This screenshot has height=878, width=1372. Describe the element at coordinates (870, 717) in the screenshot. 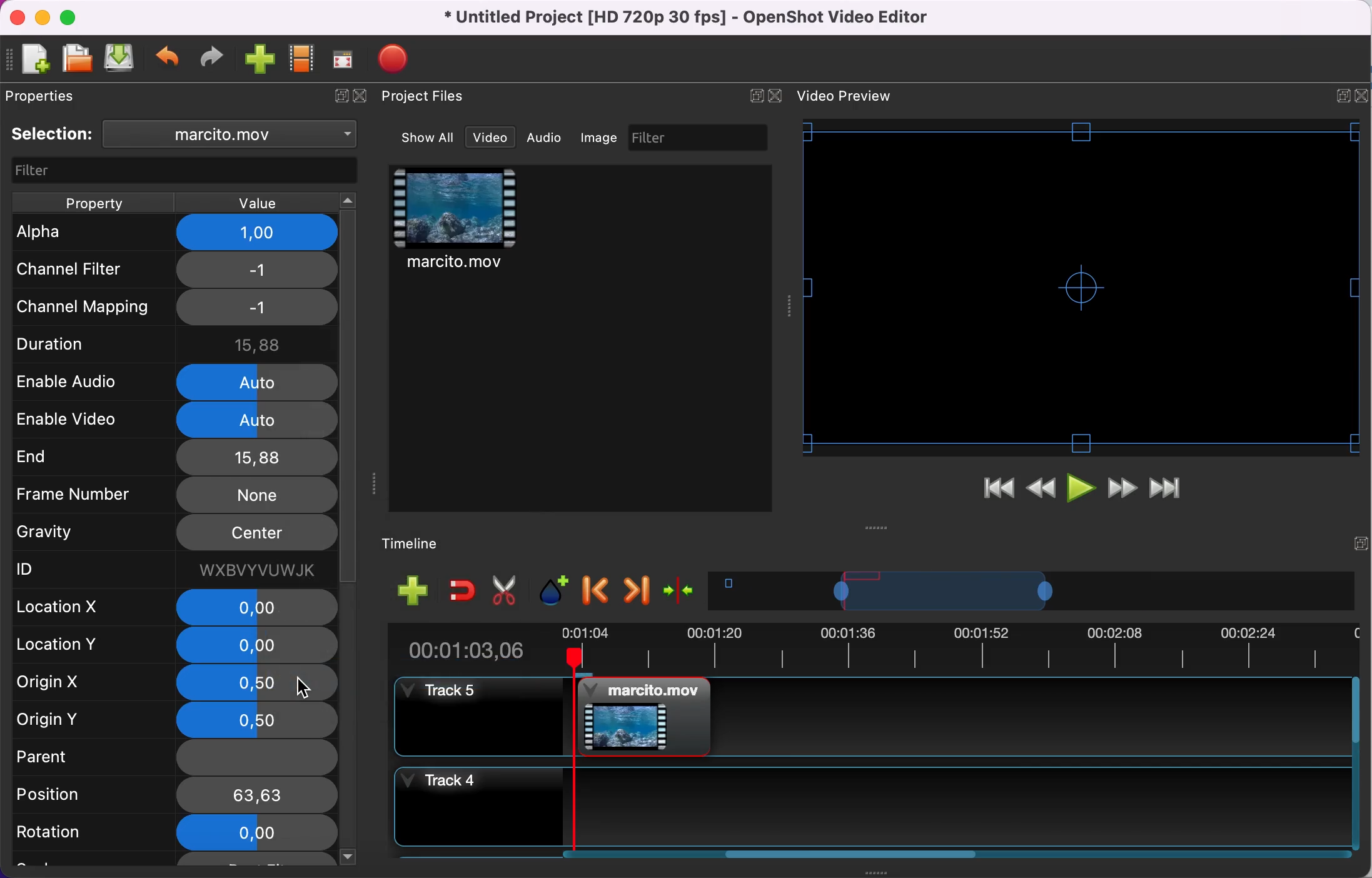

I see `track 5` at that location.